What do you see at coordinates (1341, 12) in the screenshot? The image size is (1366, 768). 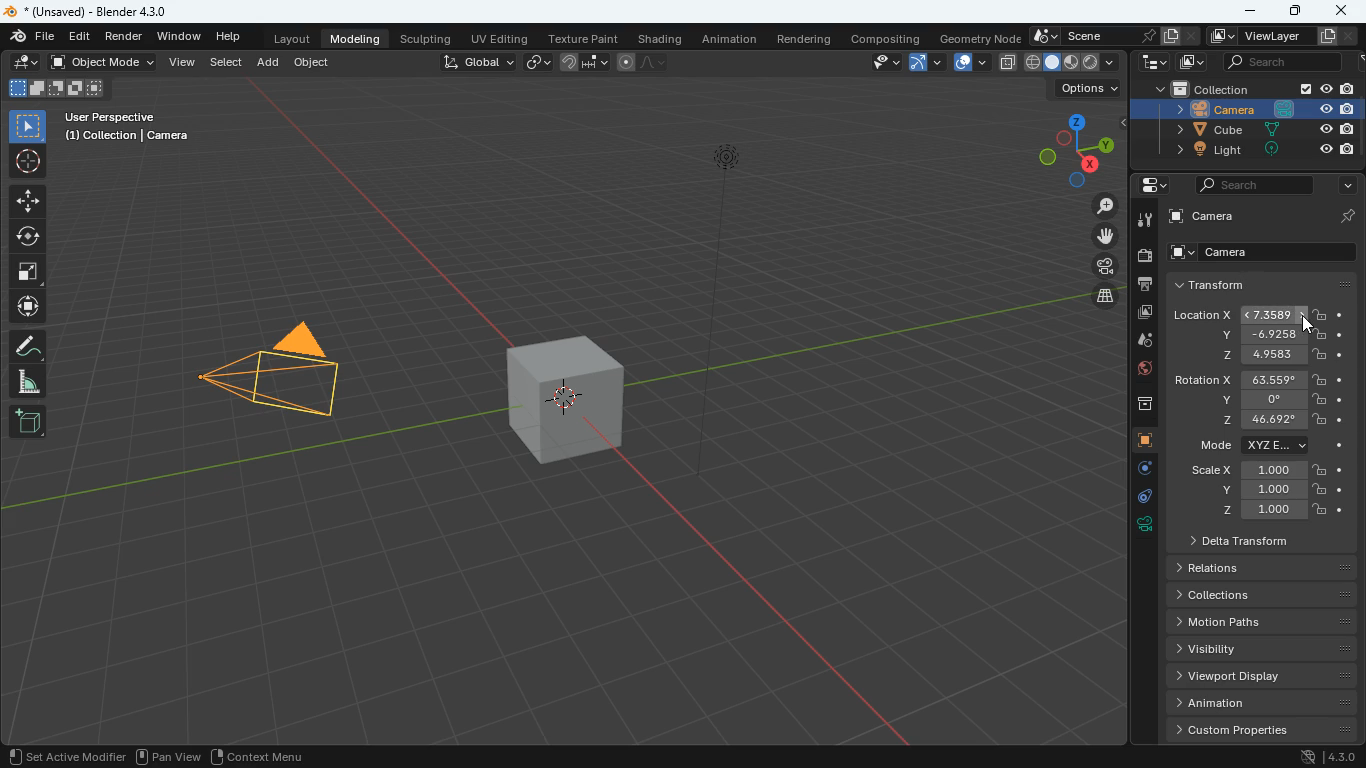 I see `close` at bounding box center [1341, 12].